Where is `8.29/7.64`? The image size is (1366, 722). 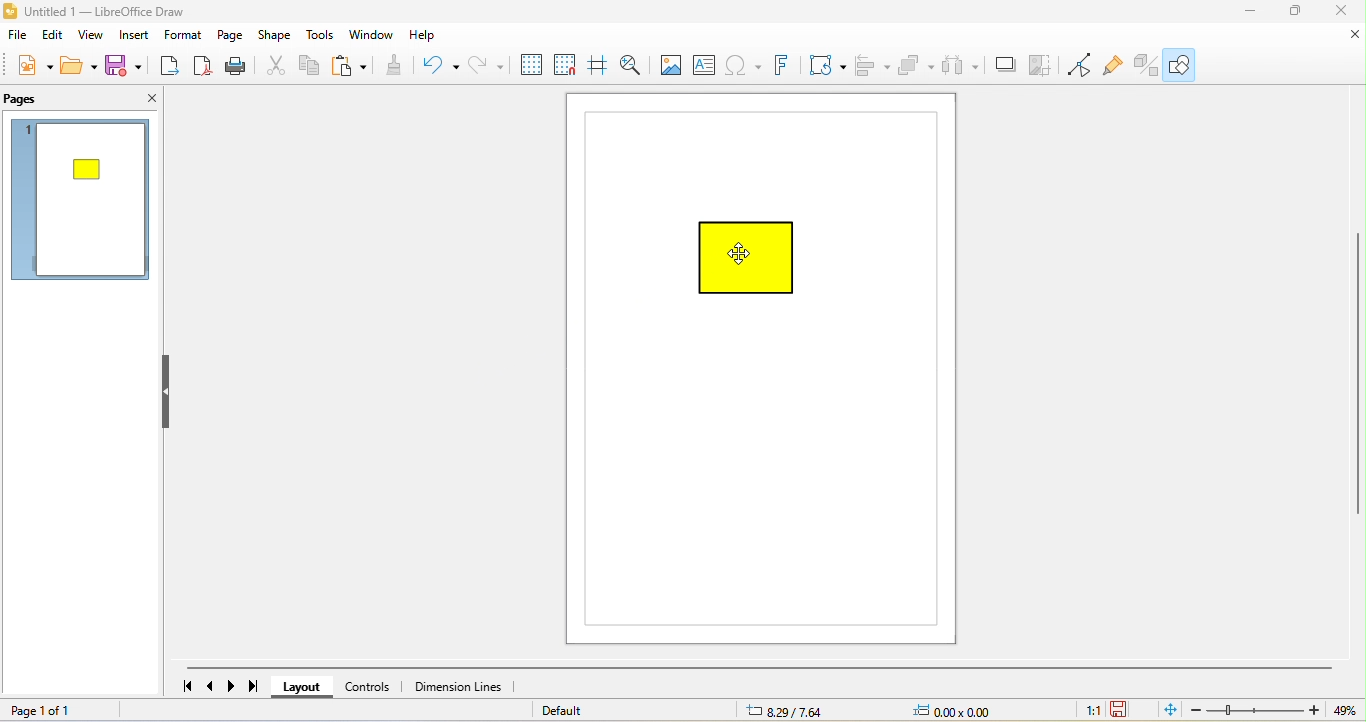
8.29/7.64 is located at coordinates (816, 710).